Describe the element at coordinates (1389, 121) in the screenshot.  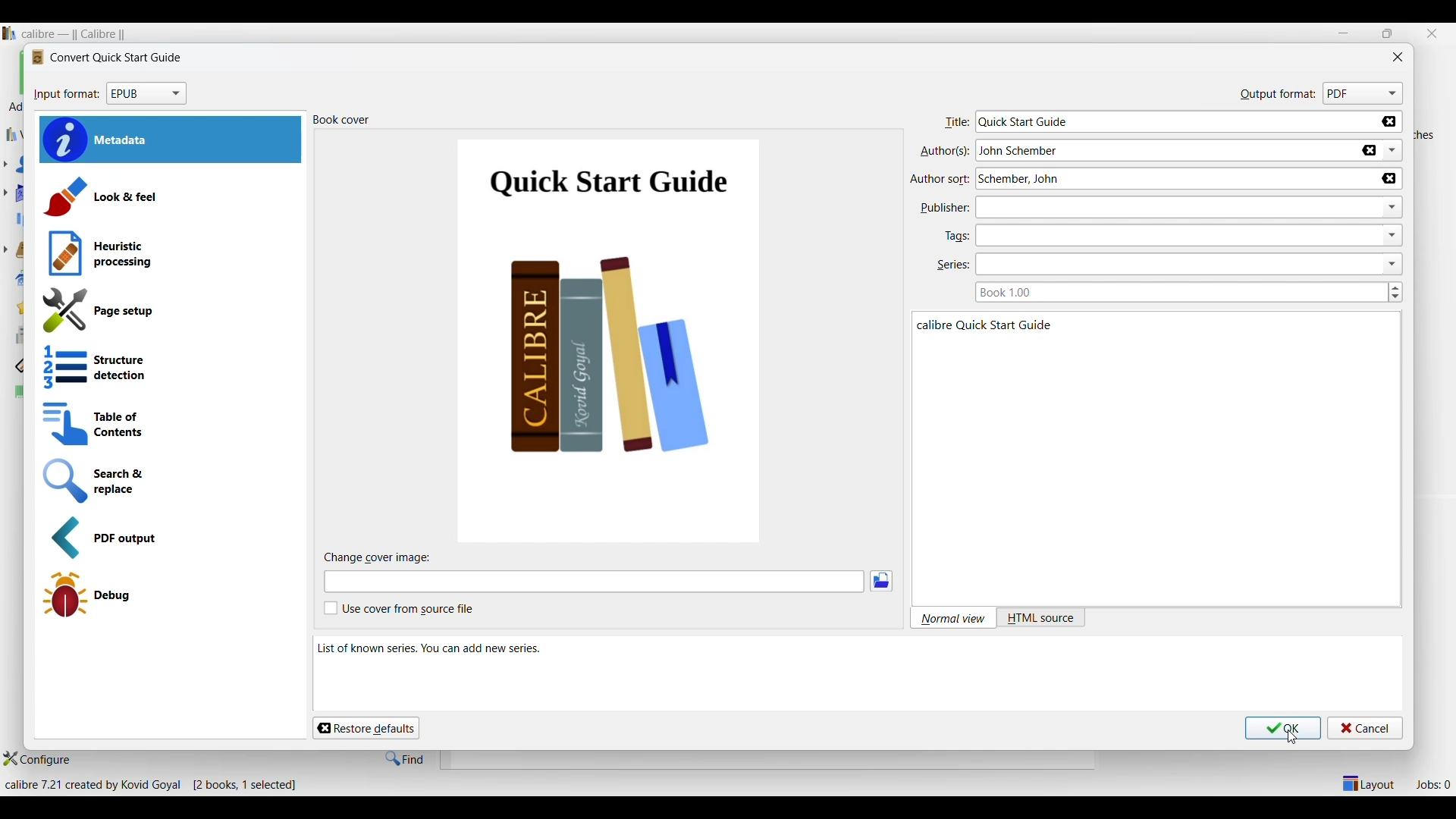
I see `Delete title` at that location.